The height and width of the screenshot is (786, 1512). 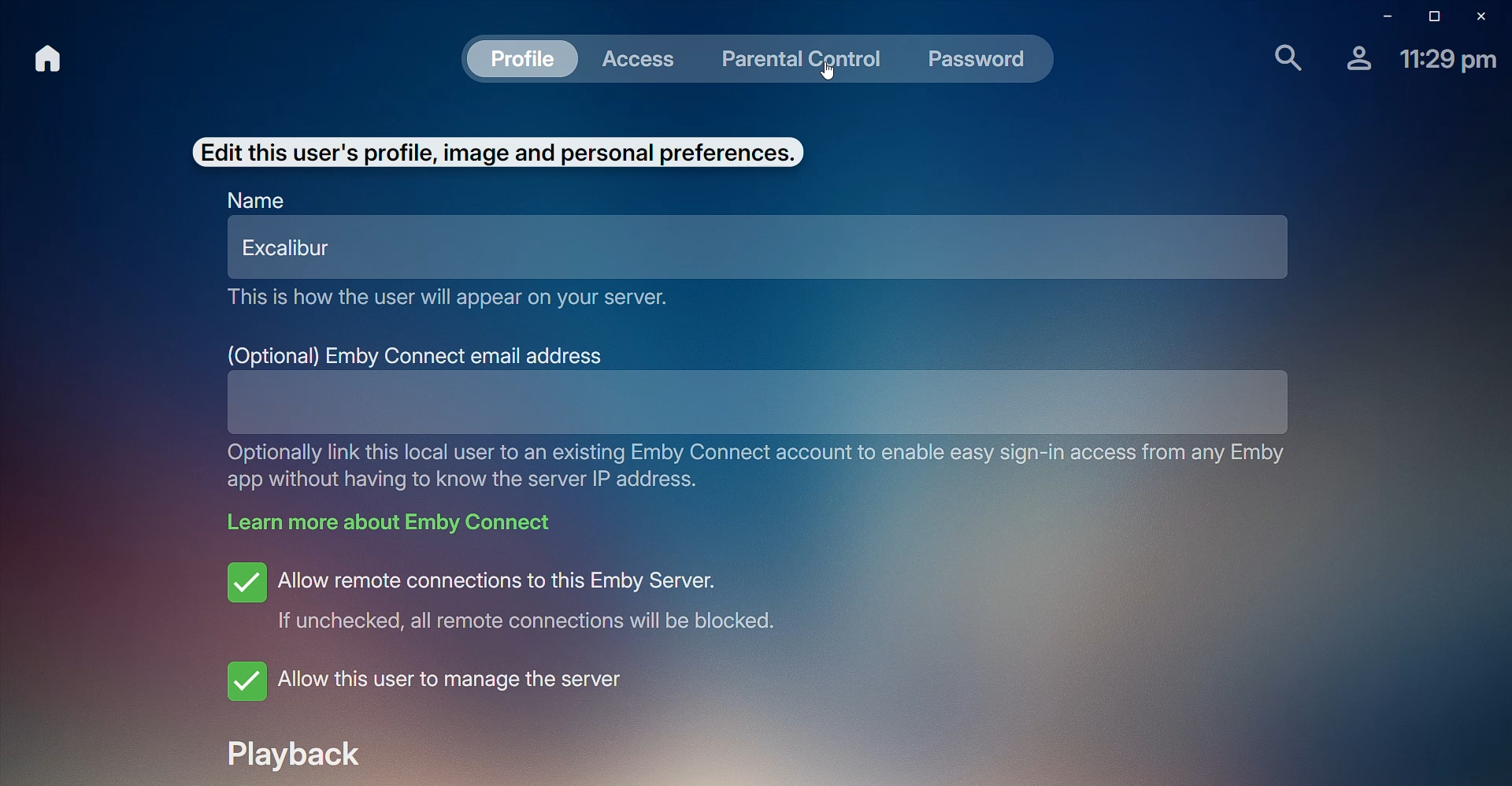 I want to click on Time, so click(x=1448, y=61).